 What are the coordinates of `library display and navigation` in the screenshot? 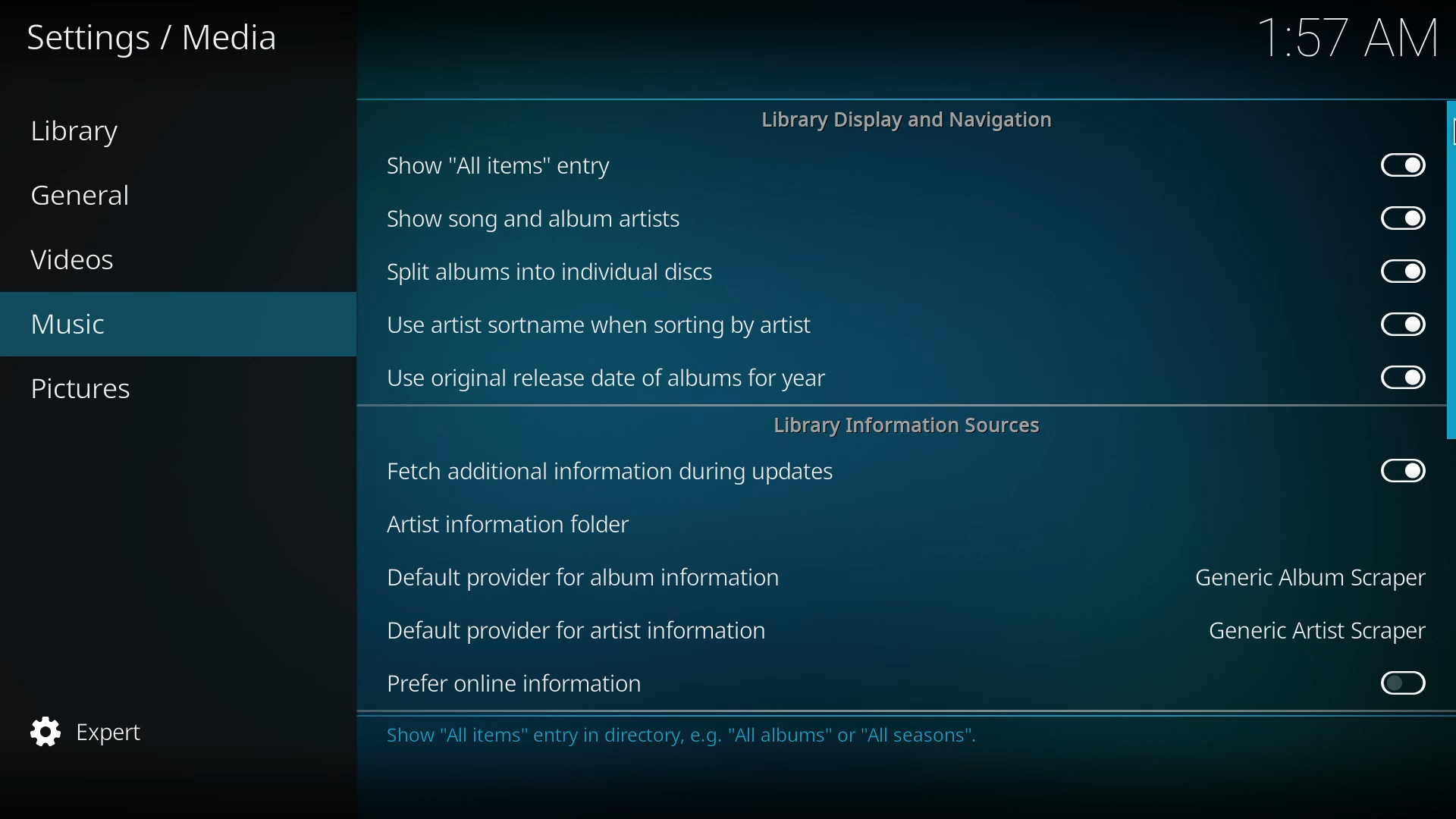 It's located at (908, 120).